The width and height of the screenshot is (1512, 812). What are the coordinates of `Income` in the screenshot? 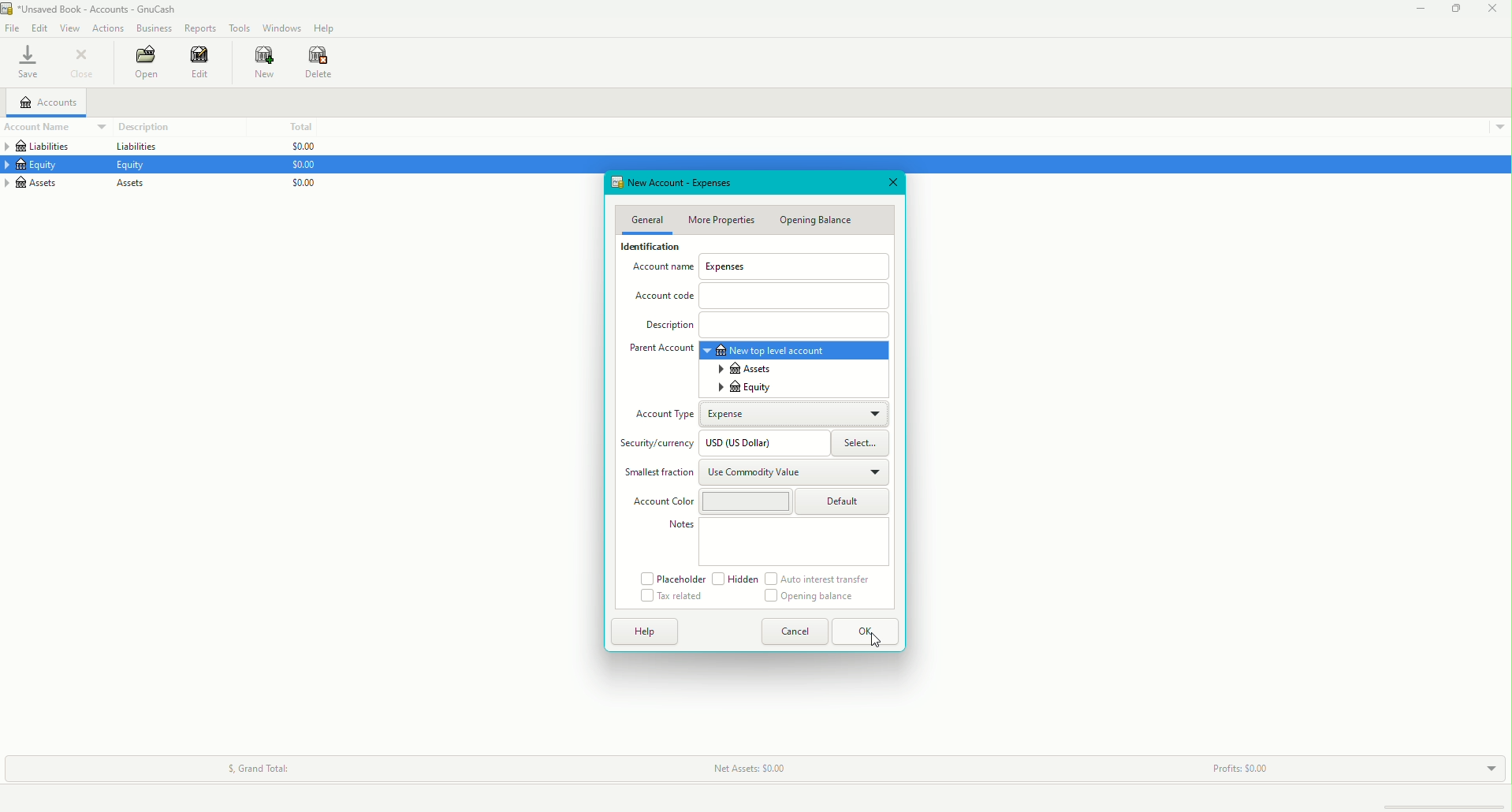 It's located at (797, 470).